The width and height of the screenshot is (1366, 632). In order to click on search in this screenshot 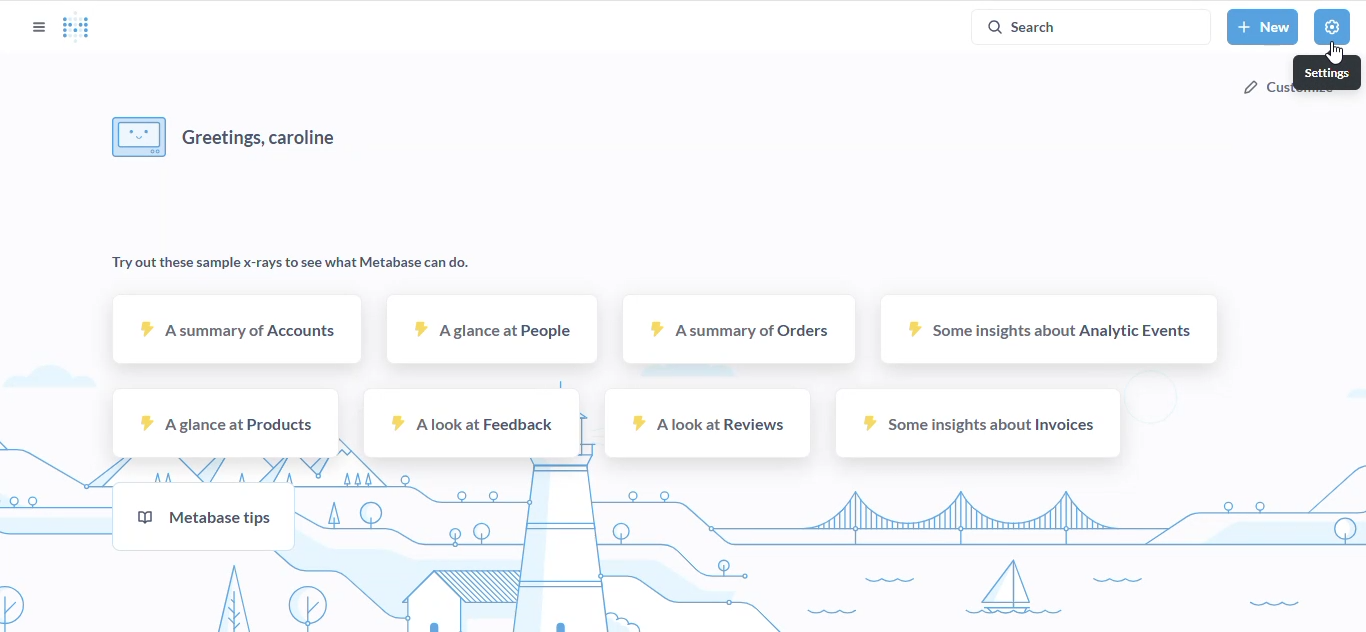, I will do `click(1091, 27)`.